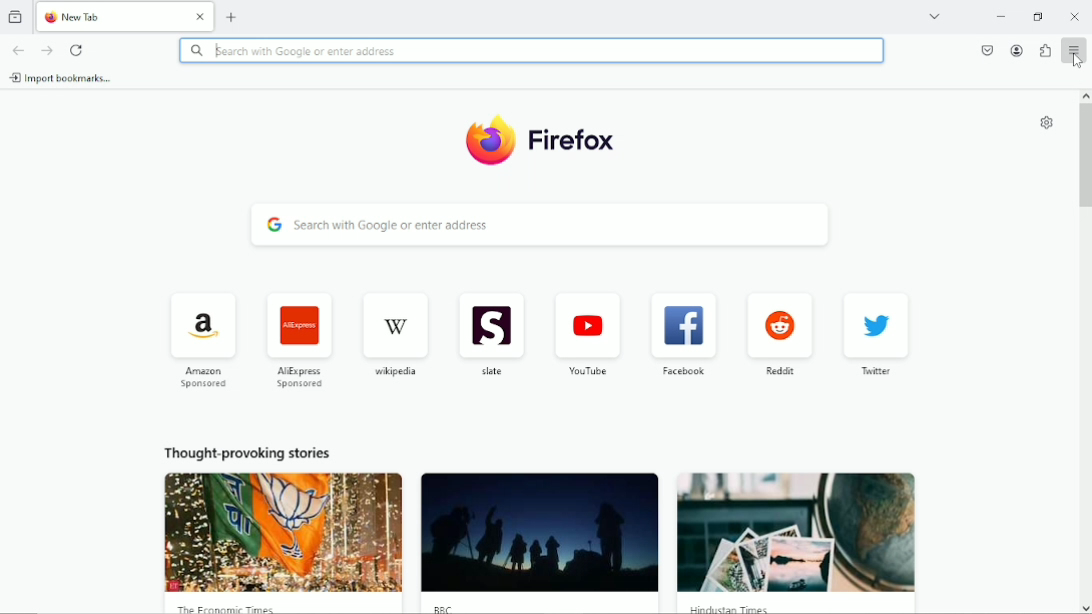  Describe the element at coordinates (1077, 61) in the screenshot. I see `Cursor` at that location.